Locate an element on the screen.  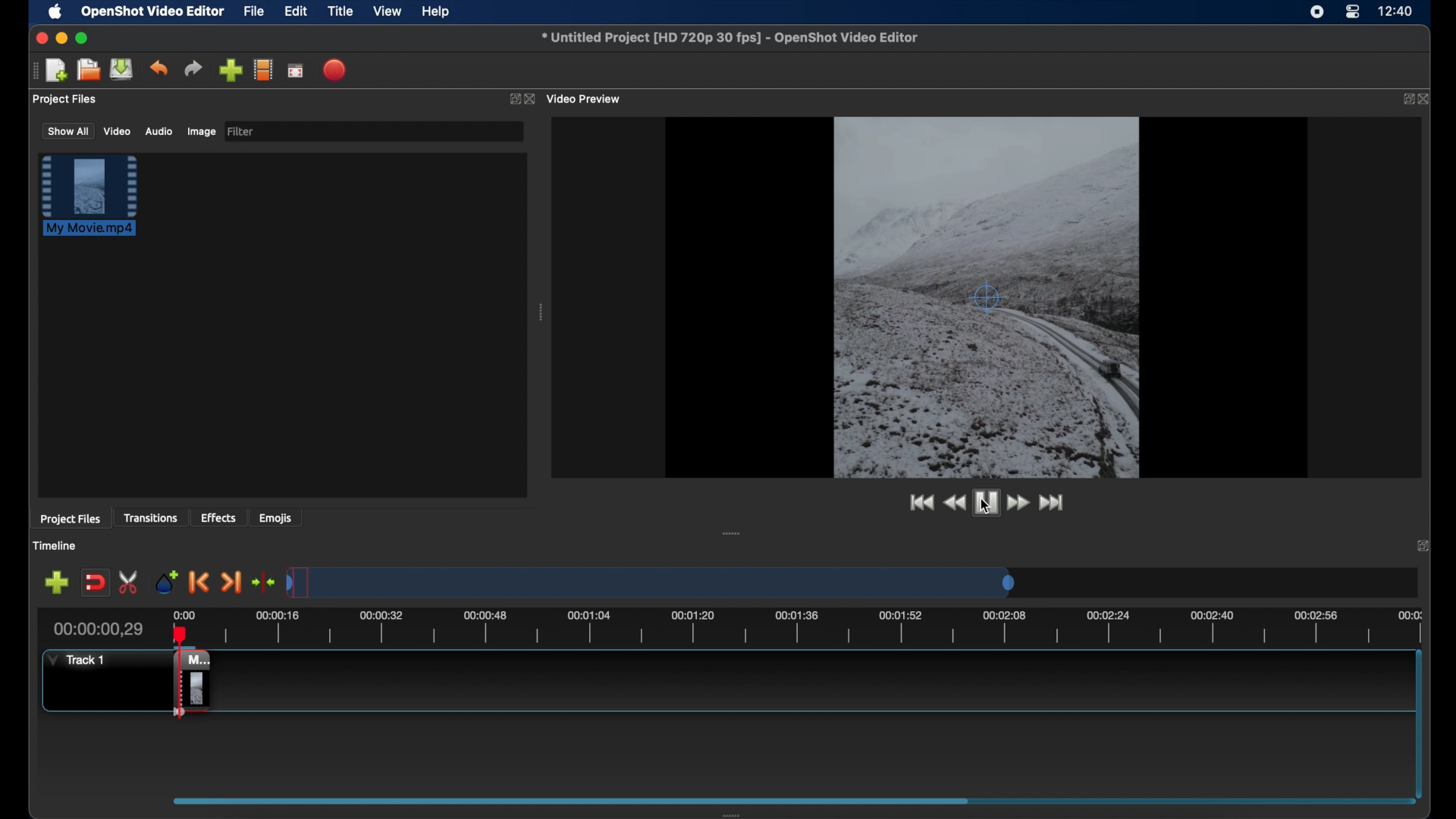
drag handle is located at coordinates (730, 813).